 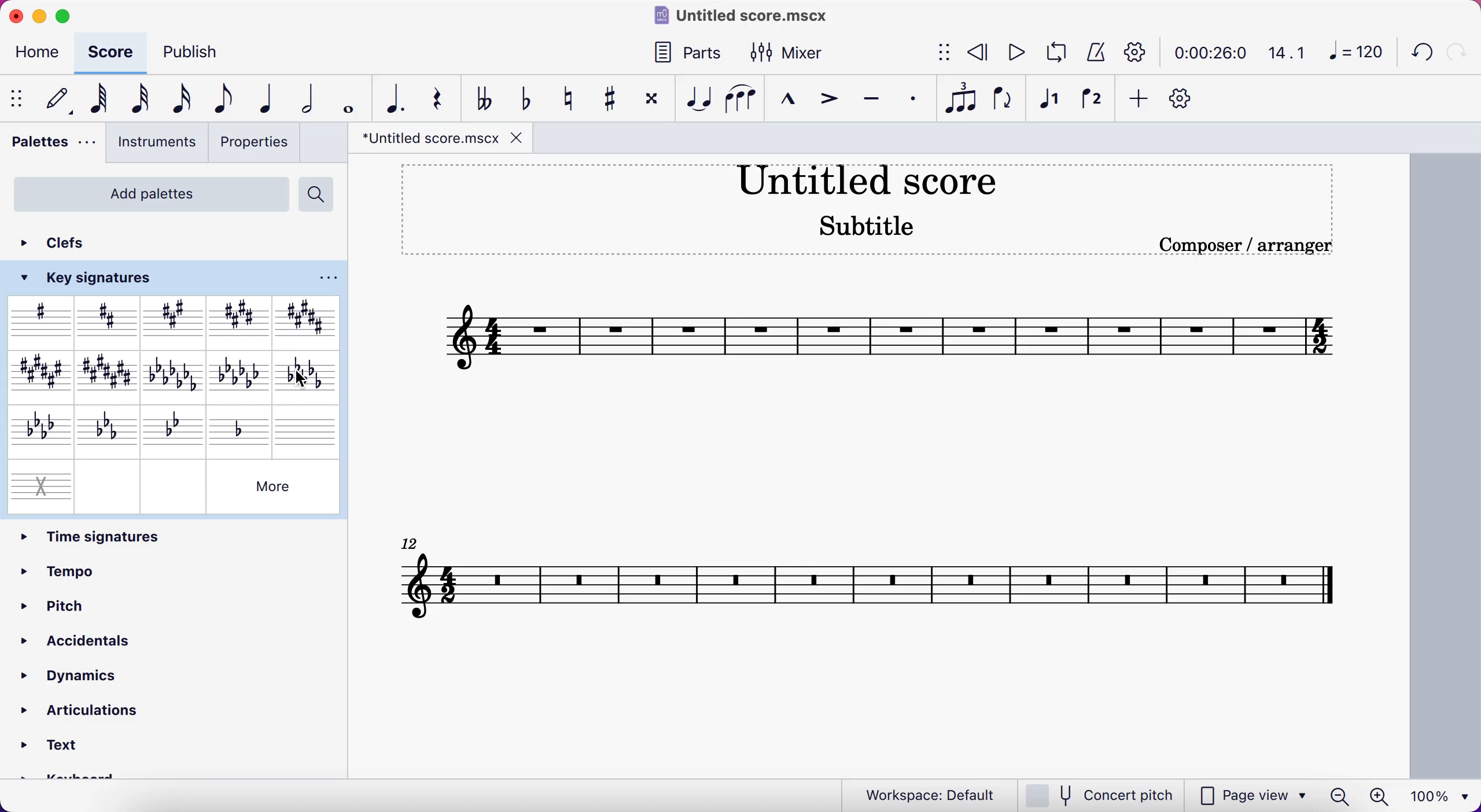 I want to click on tuplet, so click(x=963, y=98).